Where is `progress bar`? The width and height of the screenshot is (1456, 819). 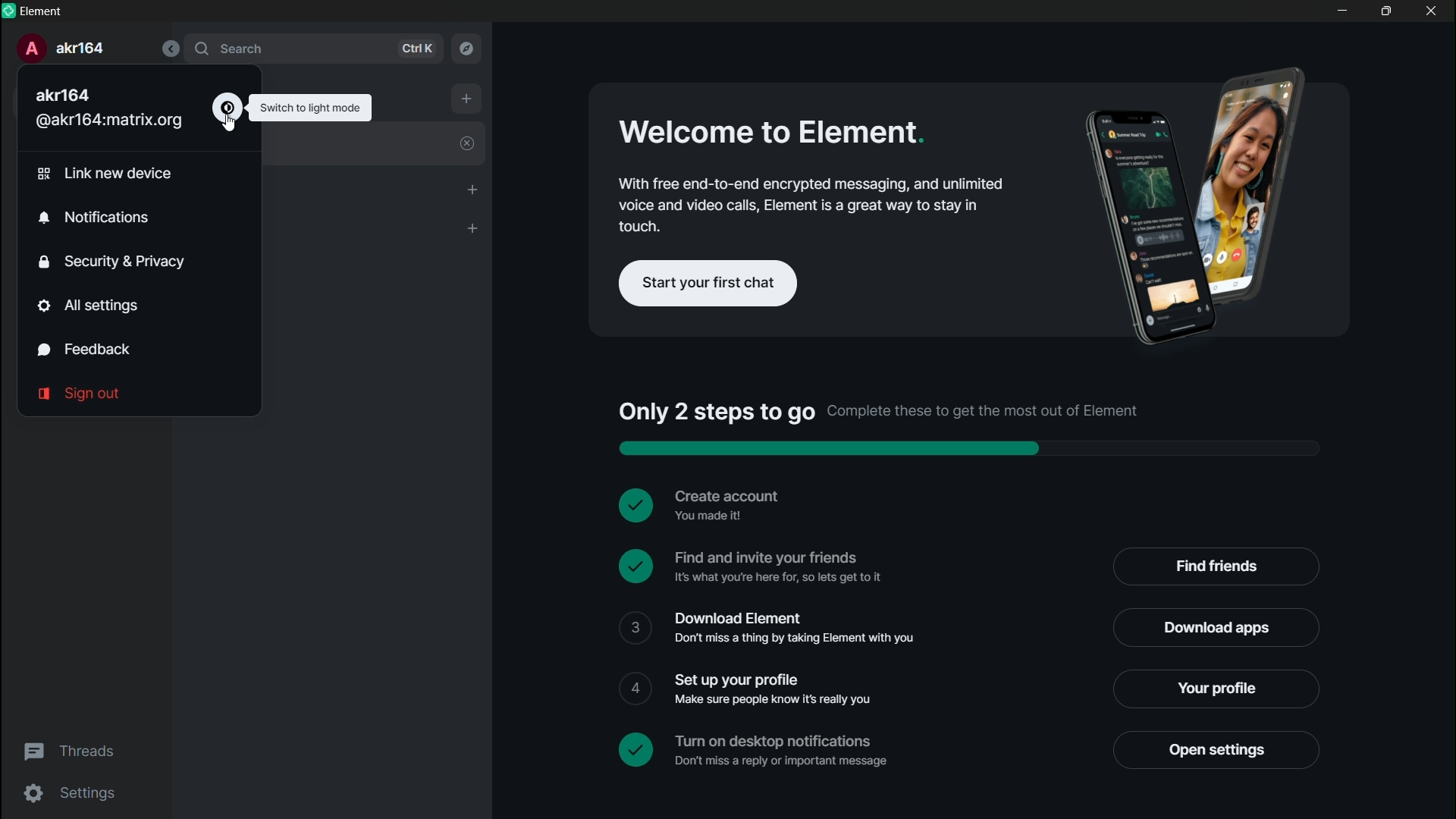 progress bar is located at coordinates (968, 450).